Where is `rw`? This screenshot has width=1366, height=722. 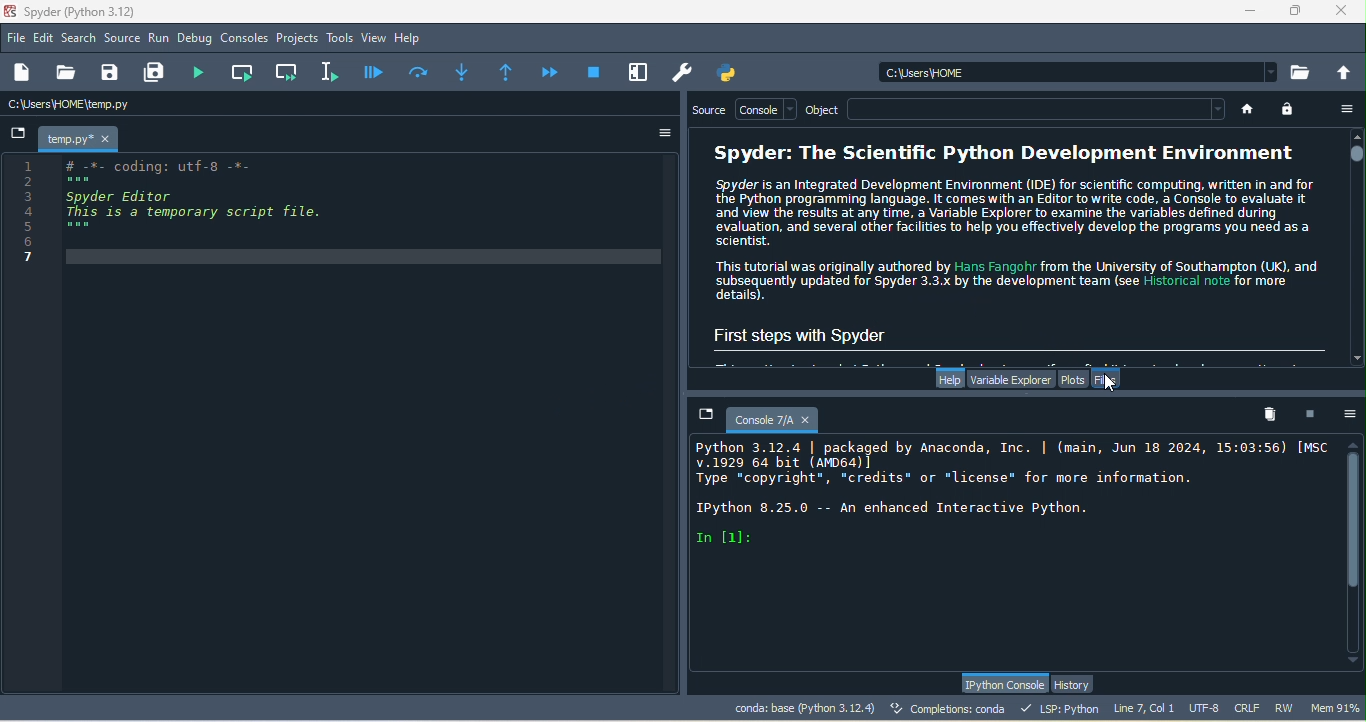
rw is located at coordinates (1286, 708).